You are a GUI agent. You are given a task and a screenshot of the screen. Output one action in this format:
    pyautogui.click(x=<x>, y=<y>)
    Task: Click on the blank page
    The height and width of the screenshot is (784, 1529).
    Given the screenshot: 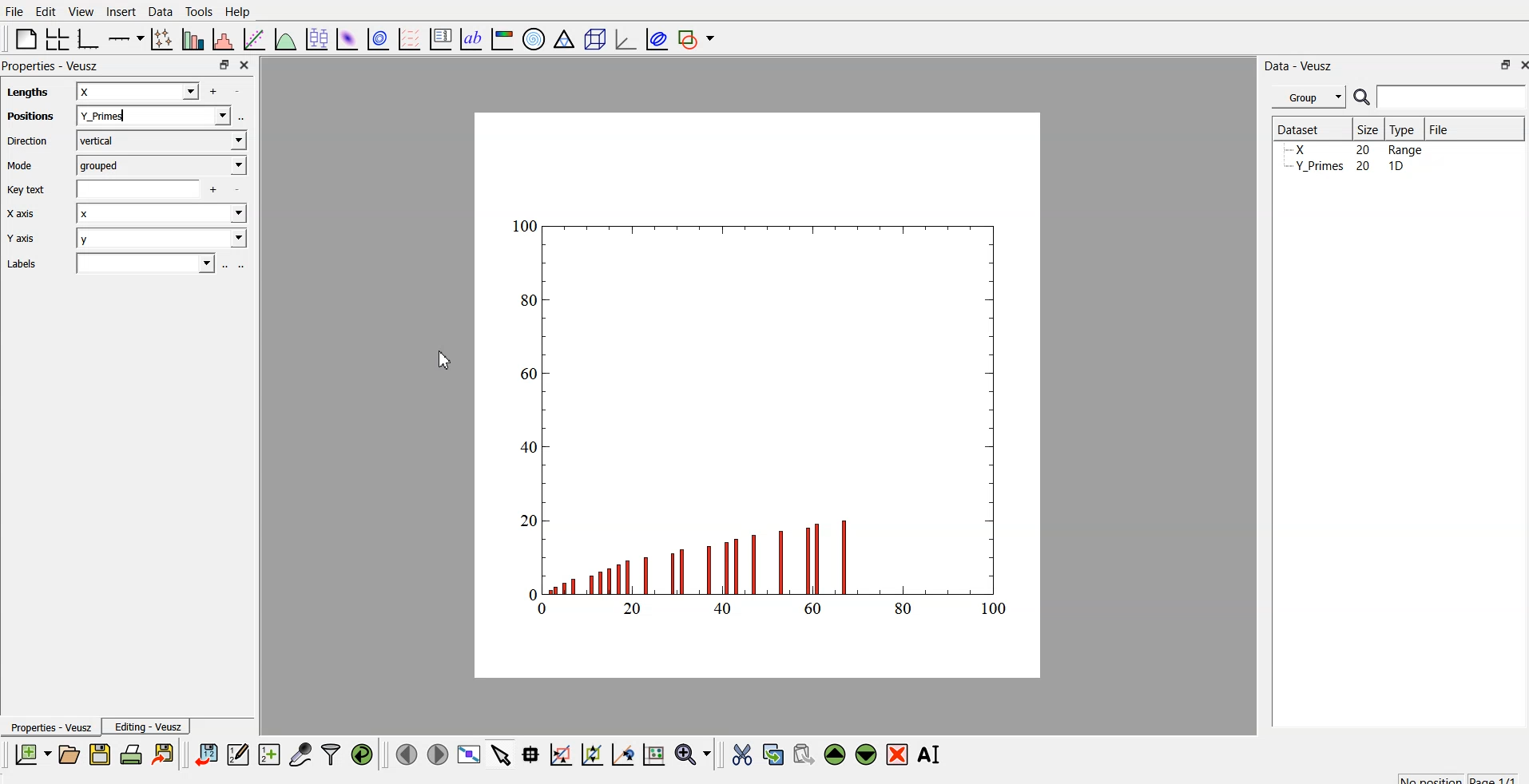 What is the action you would take?
    pyautogui.click(x=22, y=38)
    